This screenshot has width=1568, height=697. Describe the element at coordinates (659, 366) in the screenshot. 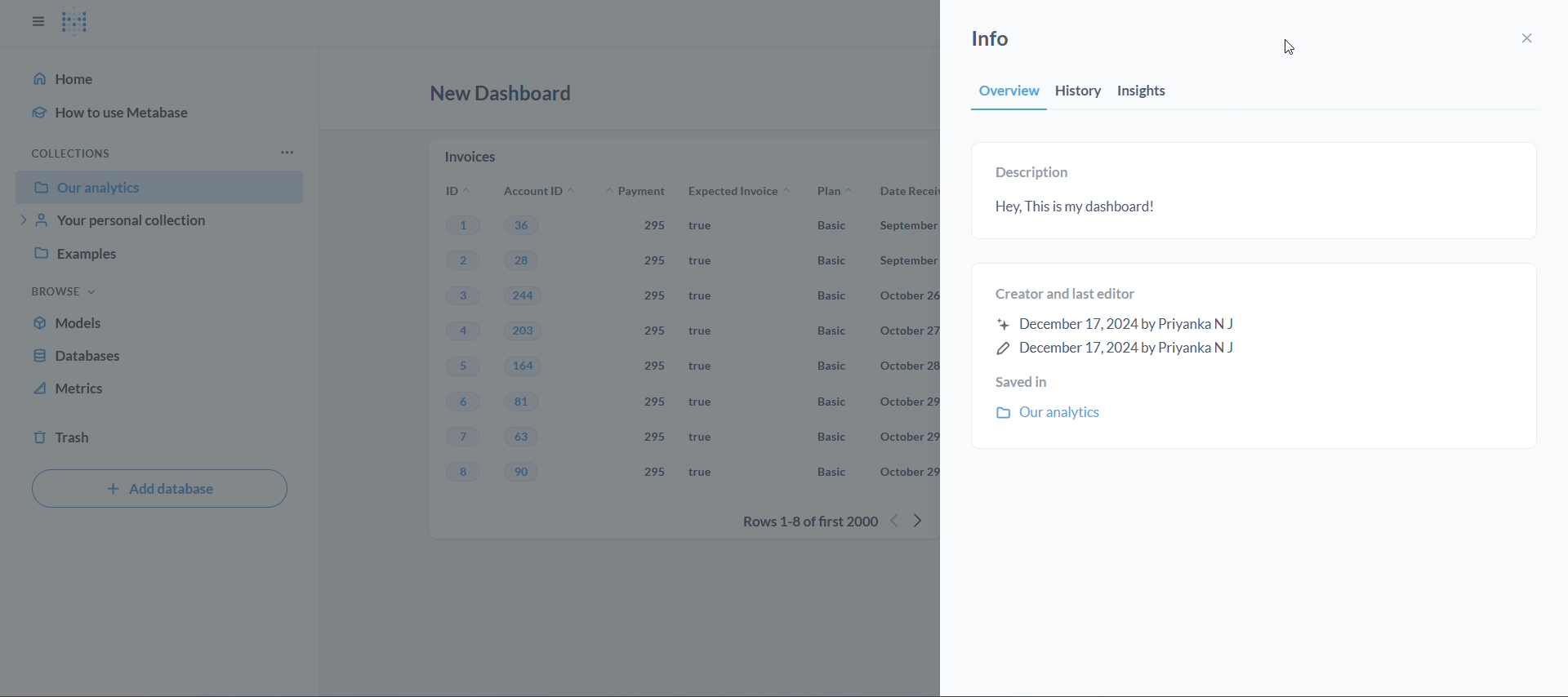

I see `295` at that location.